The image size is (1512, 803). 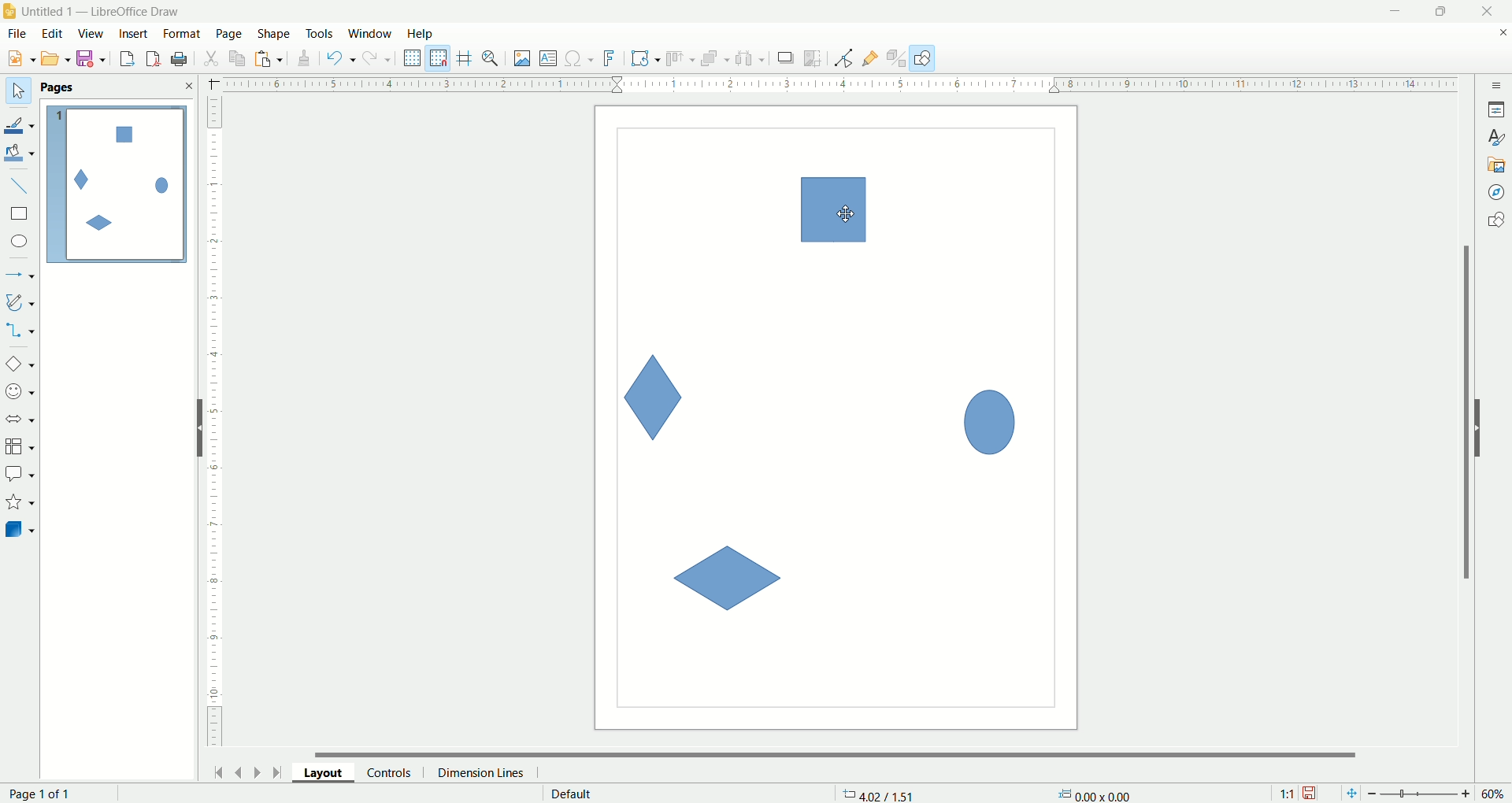 What do you see at coordinates (193, 431) in the screenshot?
I see `hide` at bounding box center [193, 431].